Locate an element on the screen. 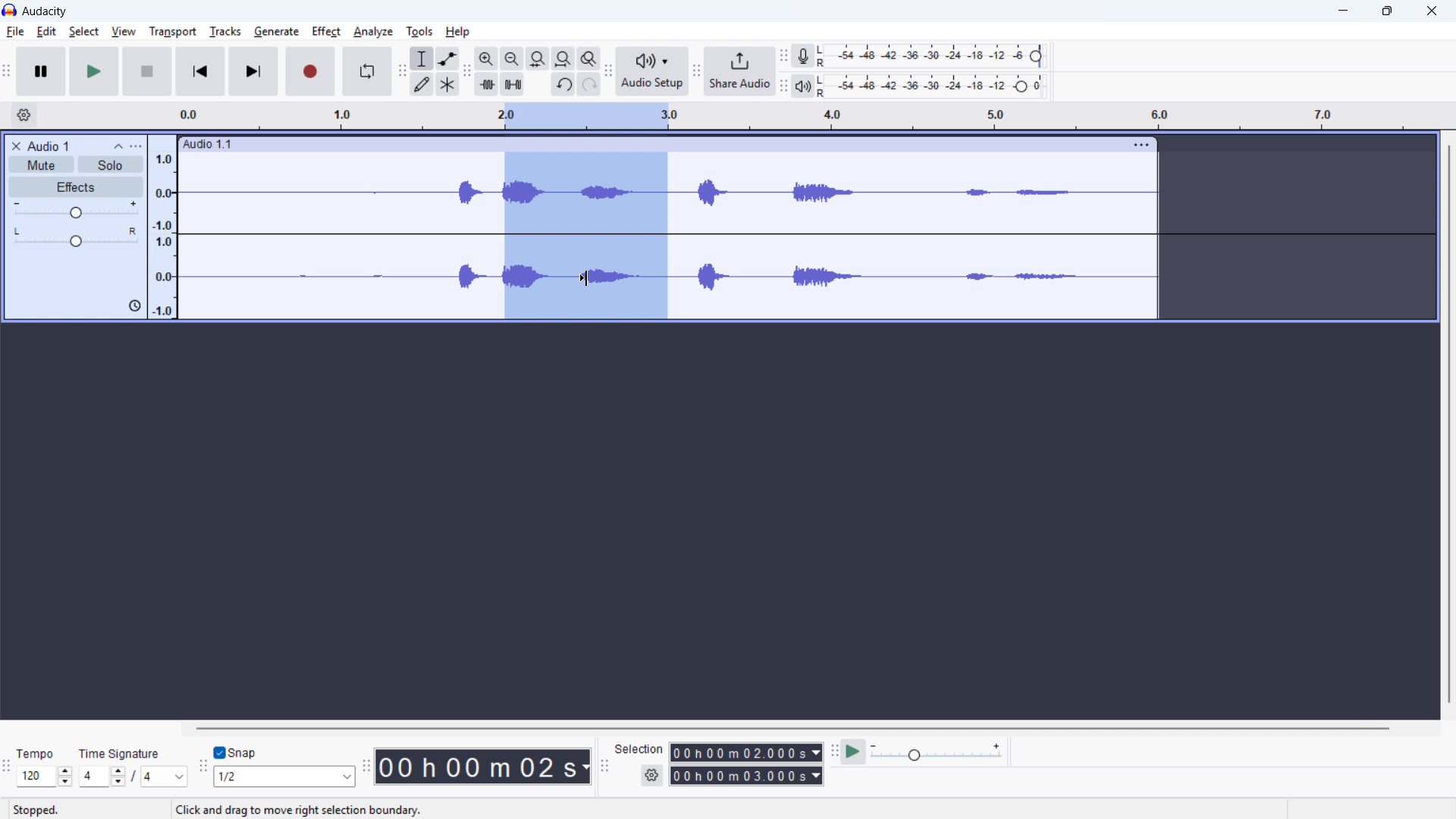  Zoom out is located at coordinates (511, 59).